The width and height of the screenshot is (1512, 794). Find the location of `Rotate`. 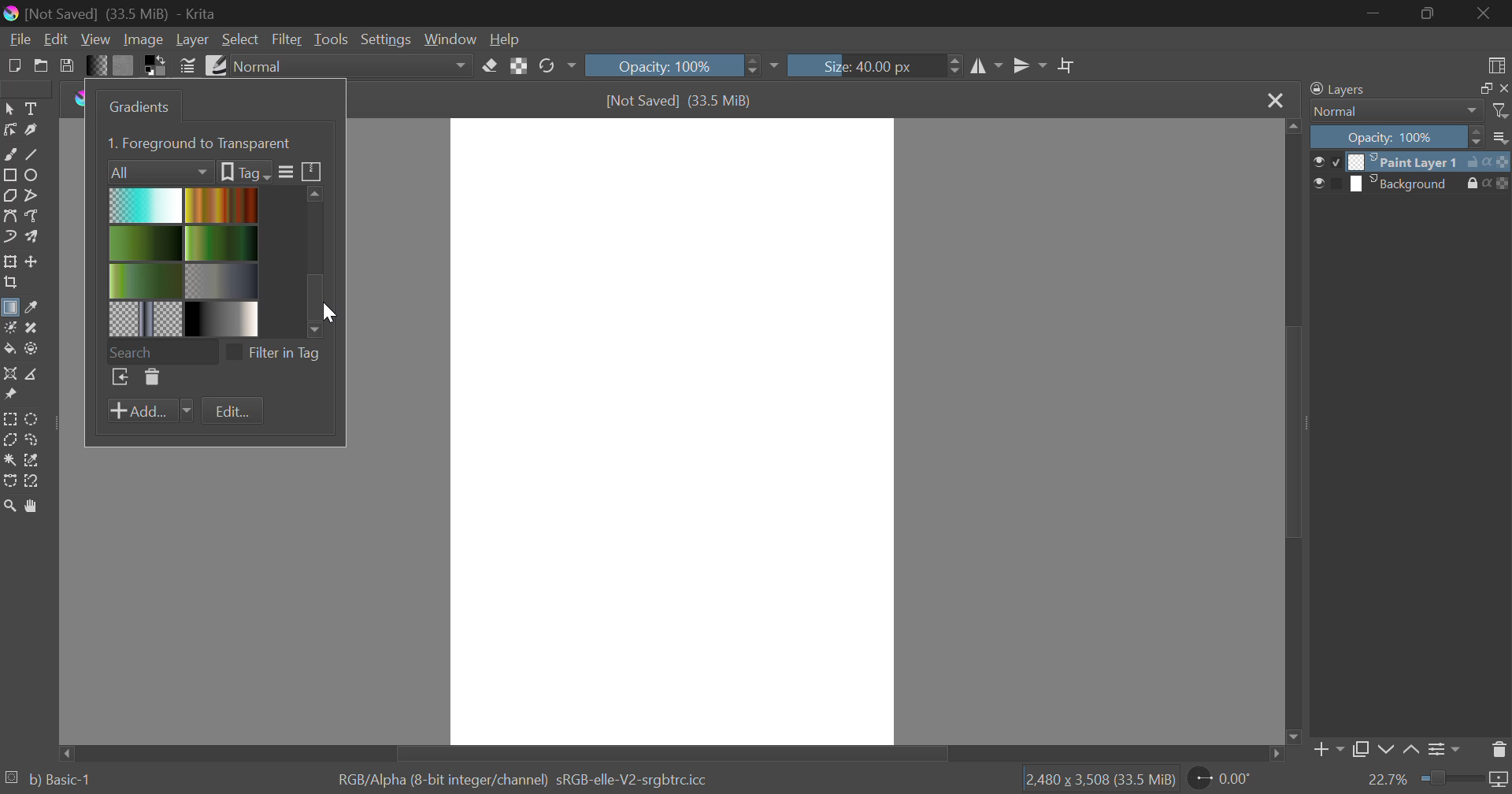

Rotate is located at coordinates (557, 67).